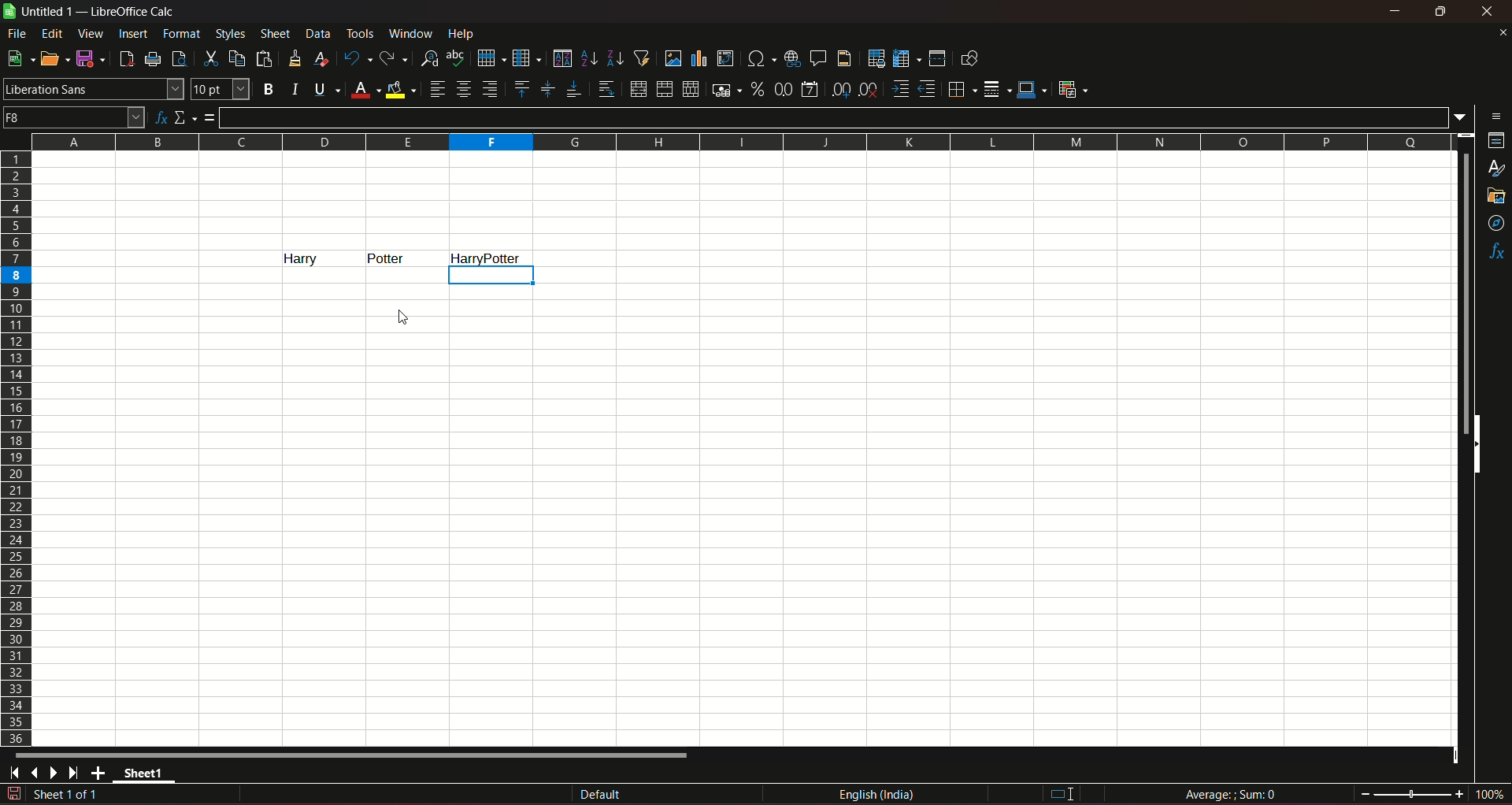 Image resolution: width=1512 pixels, height=805 pixels. What do you see at coordinates (237, 58) in the screenshot?
I see `copy` at bounding box center [237, 58].